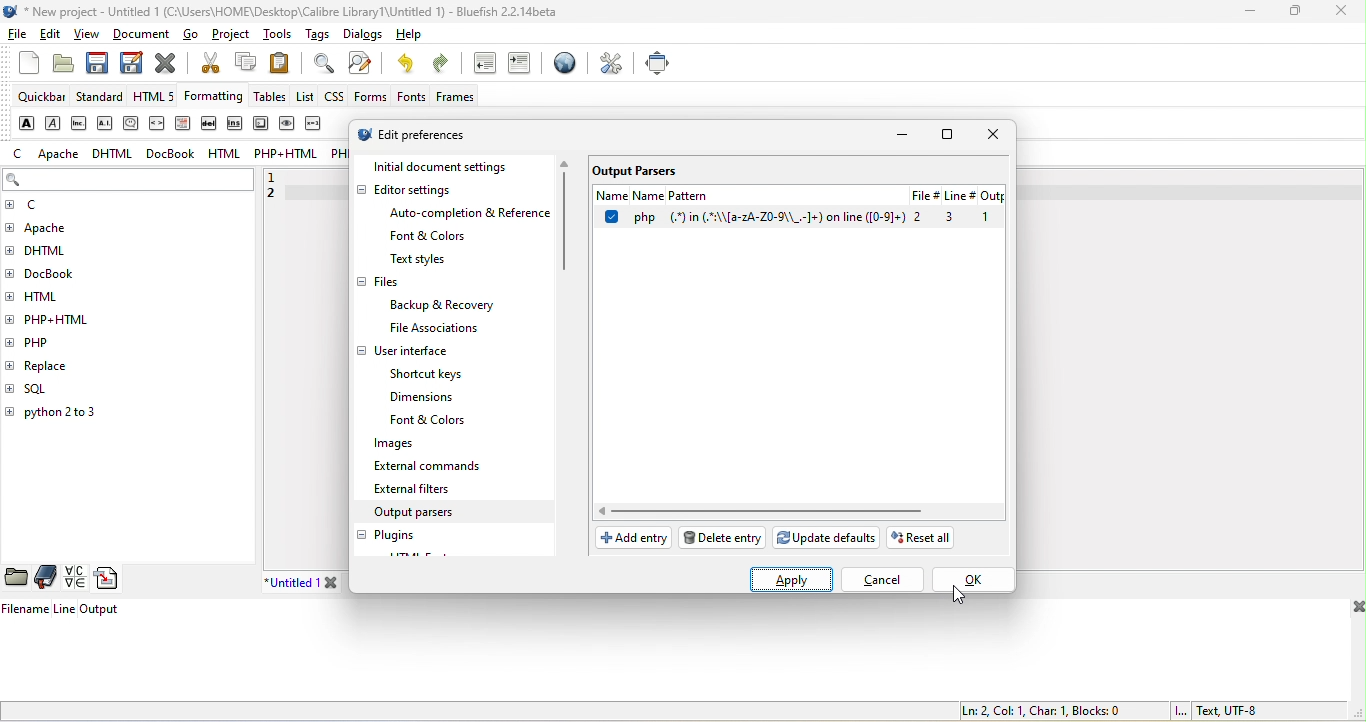 The height and width of the screenshot is (722, 1366). I want to click on save as, so click(129, 62).